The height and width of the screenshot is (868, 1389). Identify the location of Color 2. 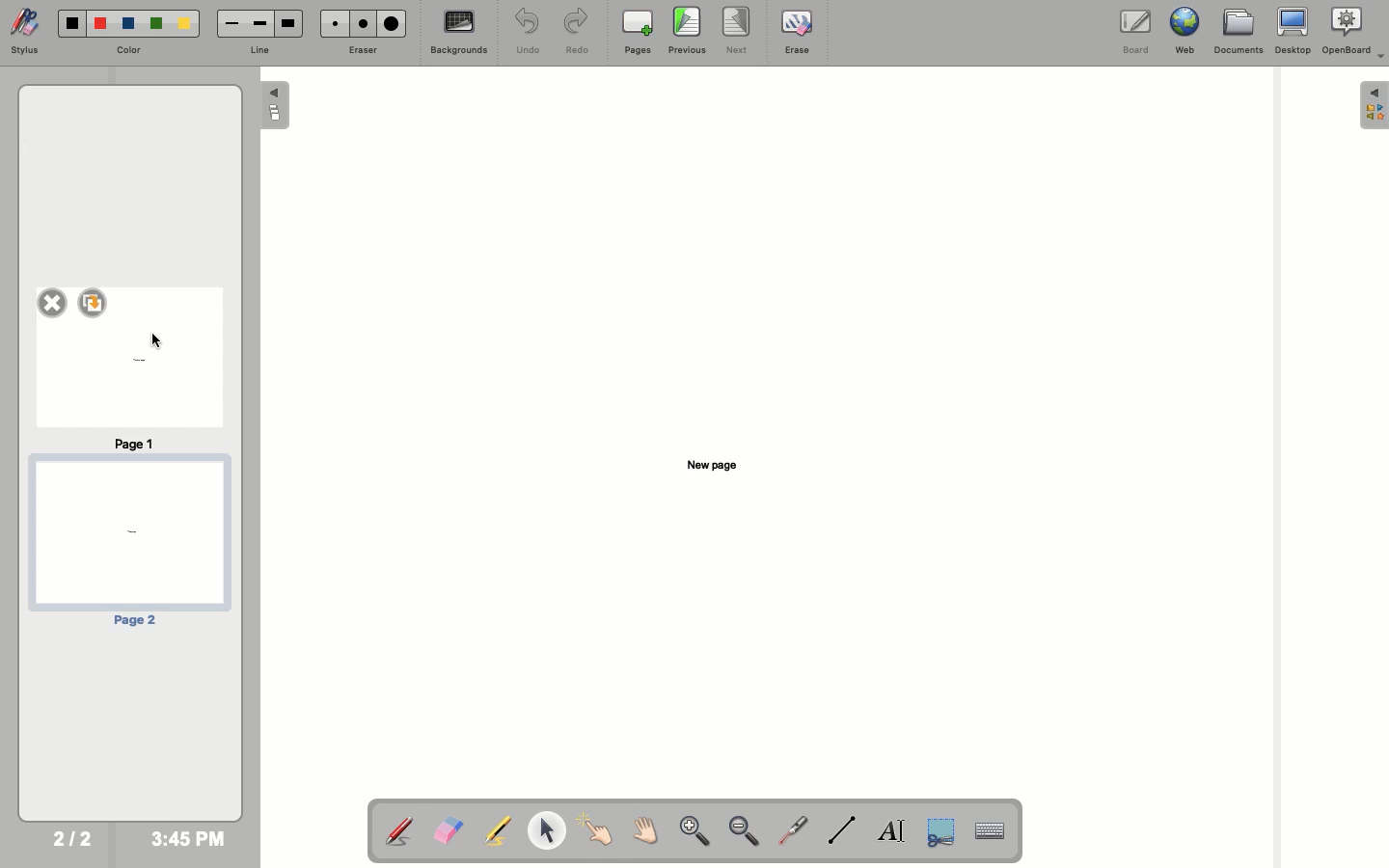
(100, 24).